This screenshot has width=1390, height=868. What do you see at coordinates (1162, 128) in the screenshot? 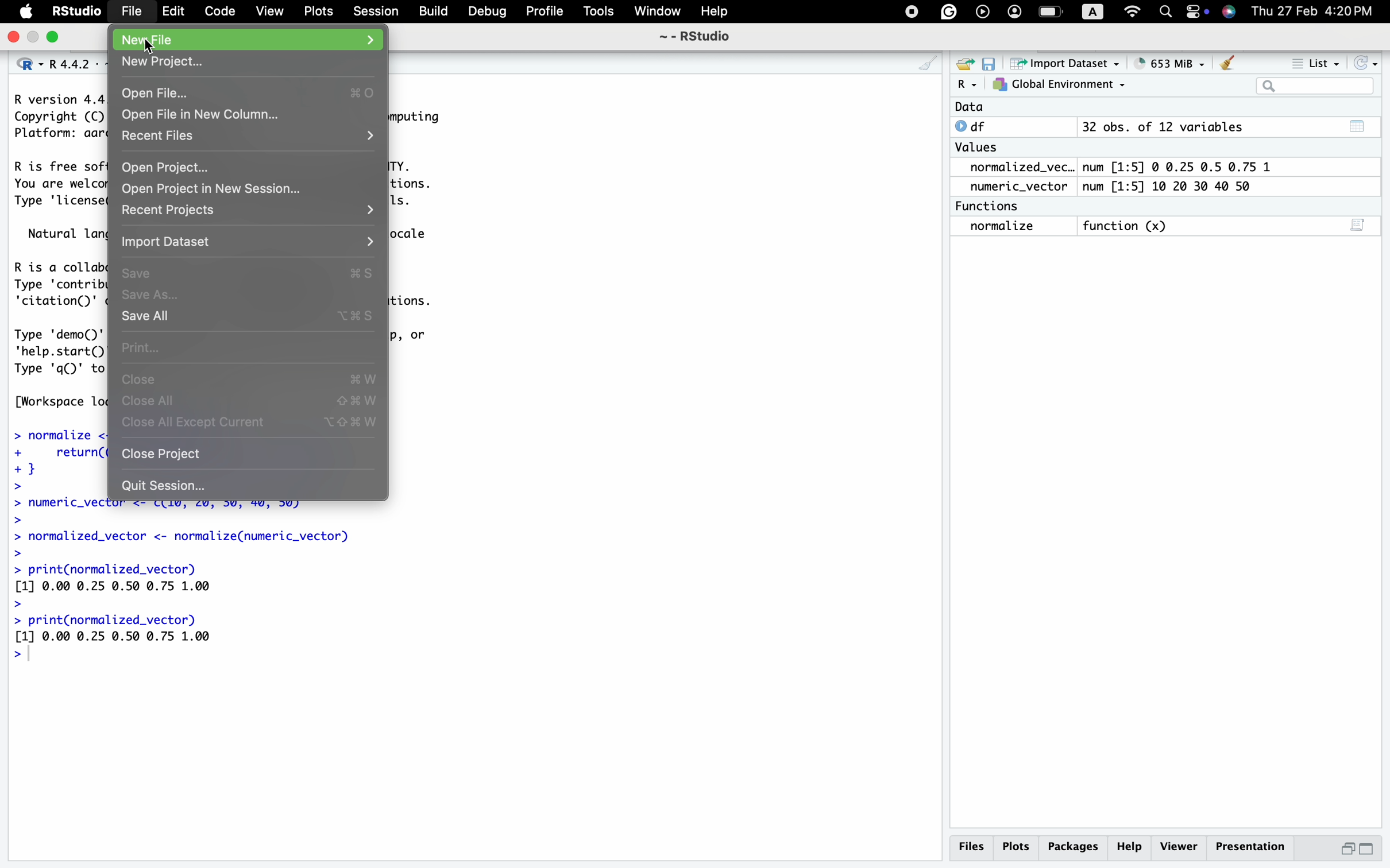
I see `32 obs. of 12 variables` at bounding box center [1162, 128].